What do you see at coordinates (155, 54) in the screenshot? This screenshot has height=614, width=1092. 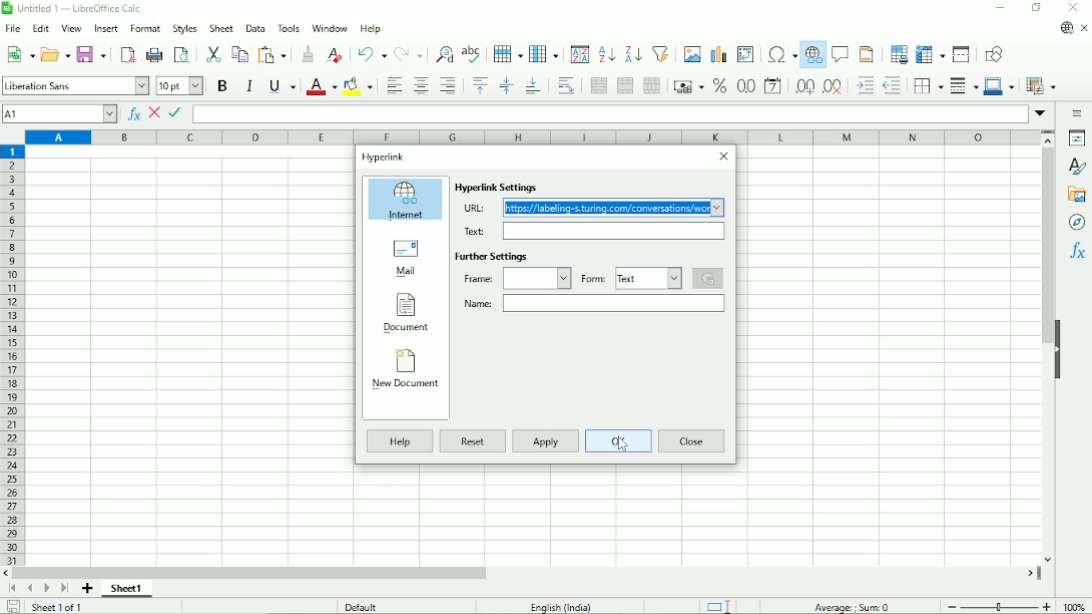 I see `Print` at bounding box center [155, 54].